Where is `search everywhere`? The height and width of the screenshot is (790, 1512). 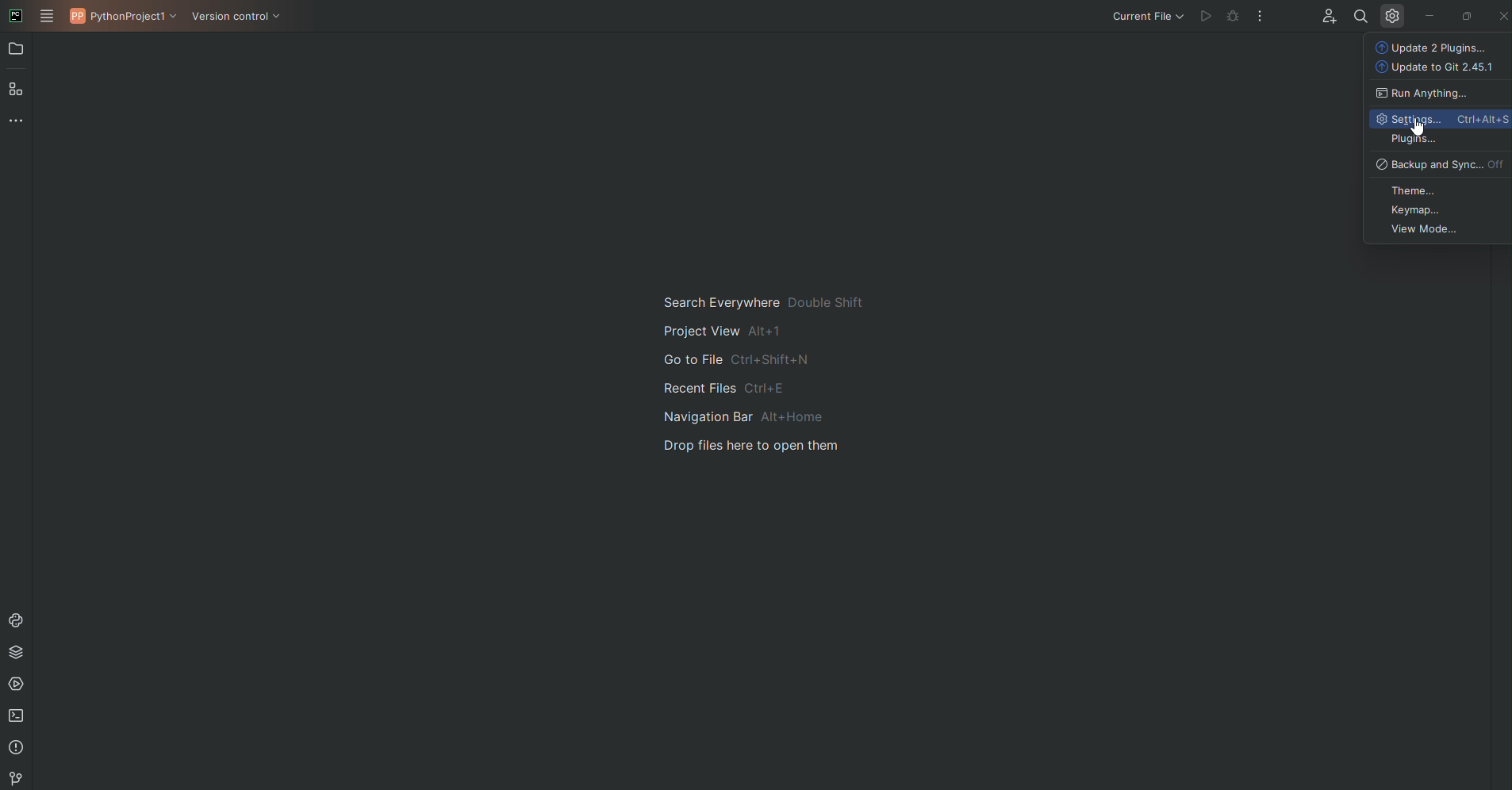
search everywhere is located at coordinates (760, 301).